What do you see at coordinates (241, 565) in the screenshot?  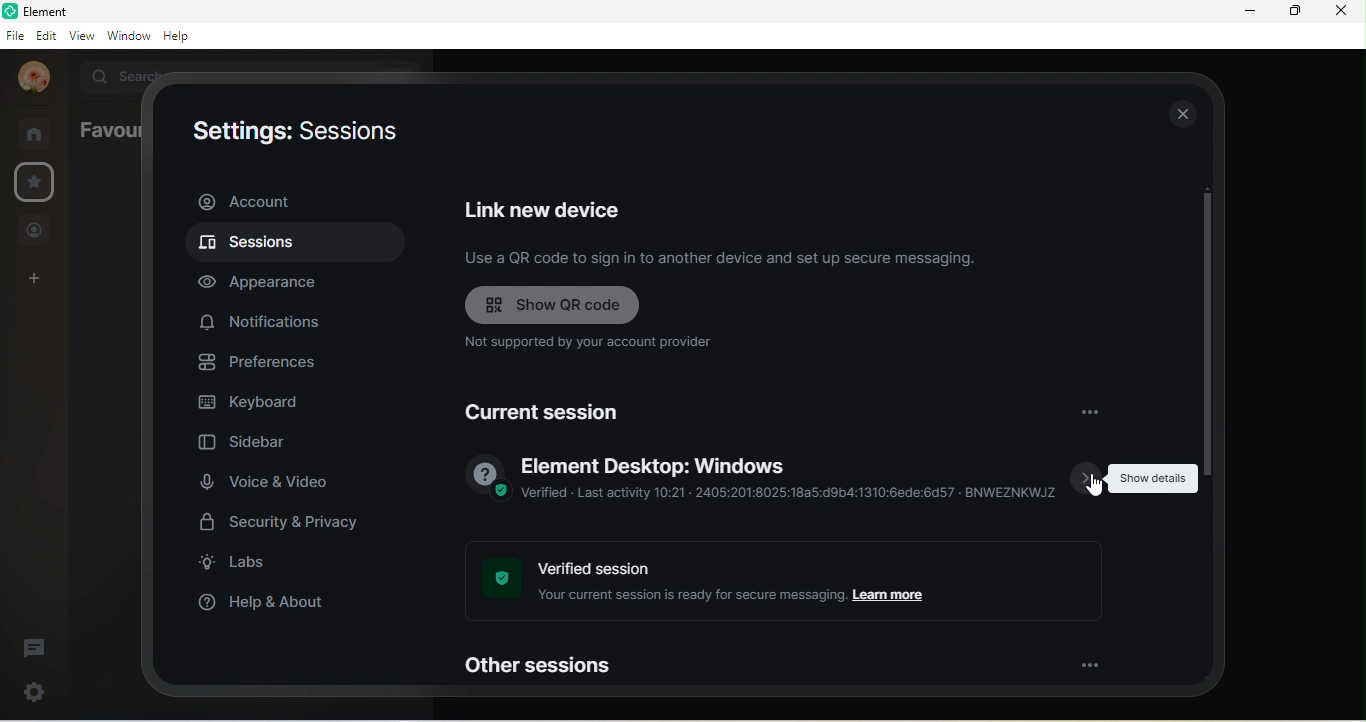 I see `labs` at bounding box center [241, 565].